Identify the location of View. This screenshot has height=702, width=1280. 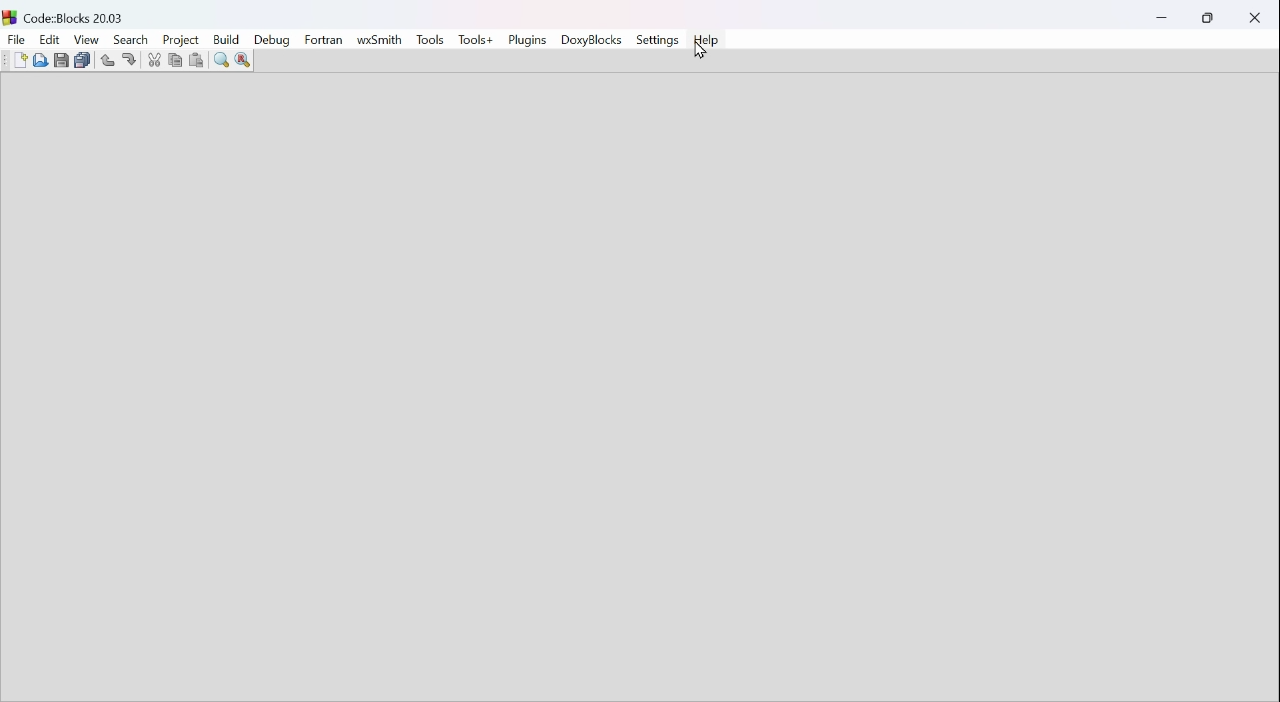
(88, 42).